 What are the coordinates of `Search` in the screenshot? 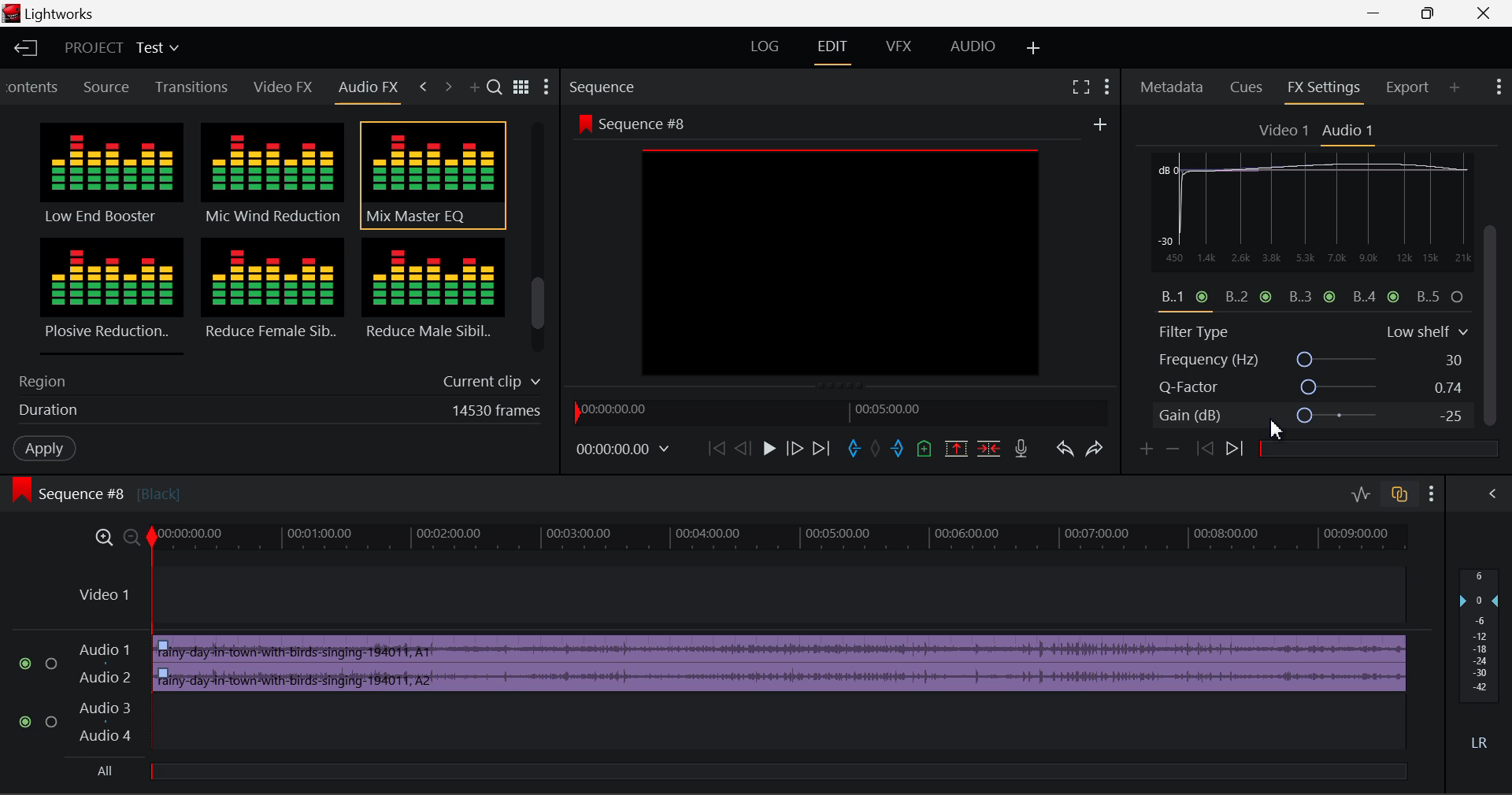 It's located at (497, 88).